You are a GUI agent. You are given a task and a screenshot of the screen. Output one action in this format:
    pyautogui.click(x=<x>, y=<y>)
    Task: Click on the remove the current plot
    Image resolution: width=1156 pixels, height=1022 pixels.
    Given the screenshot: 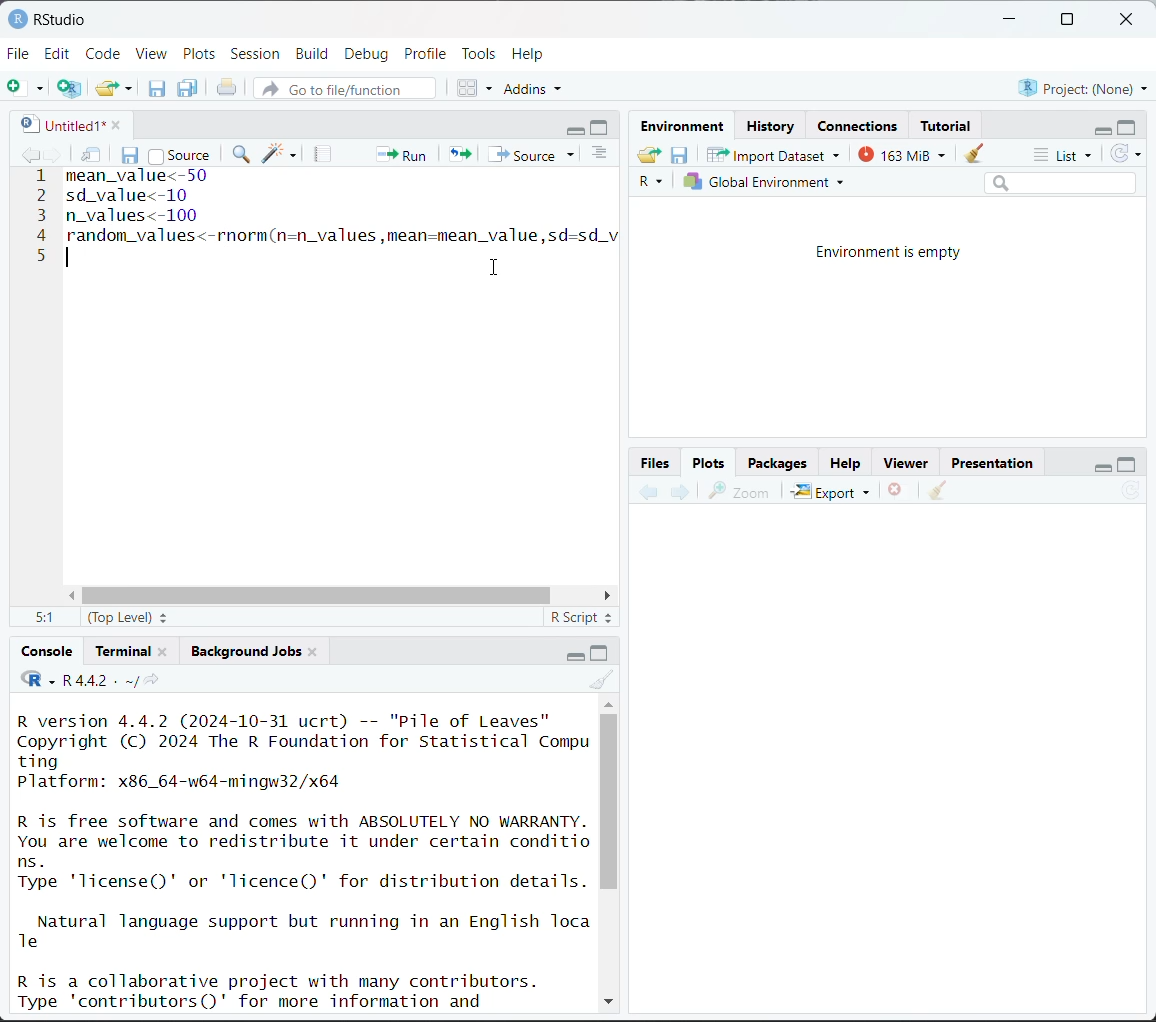 What is the action you would take?
    pyautogui.click(x=896, y=493)
    